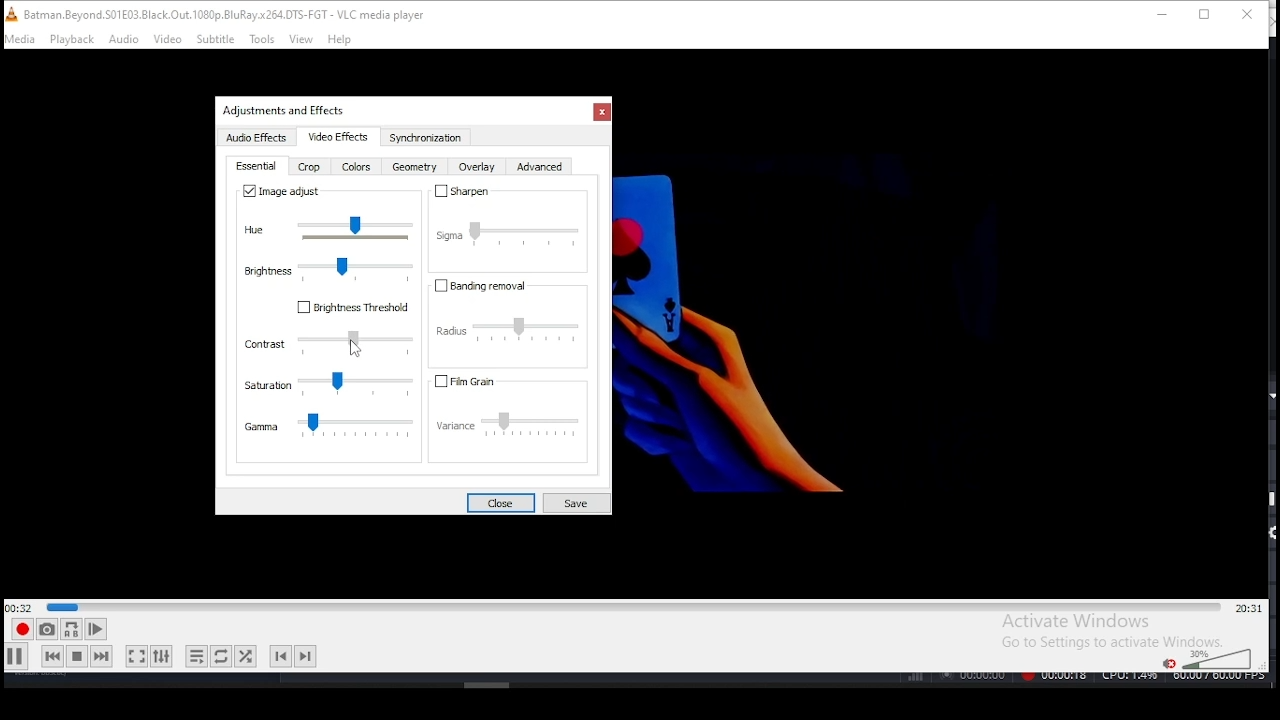 This screenshot has width=1280, height=720. What do you see at coordinates (1084, 679) in the screenshot?
I see `` at bounding box center [1084, 679].